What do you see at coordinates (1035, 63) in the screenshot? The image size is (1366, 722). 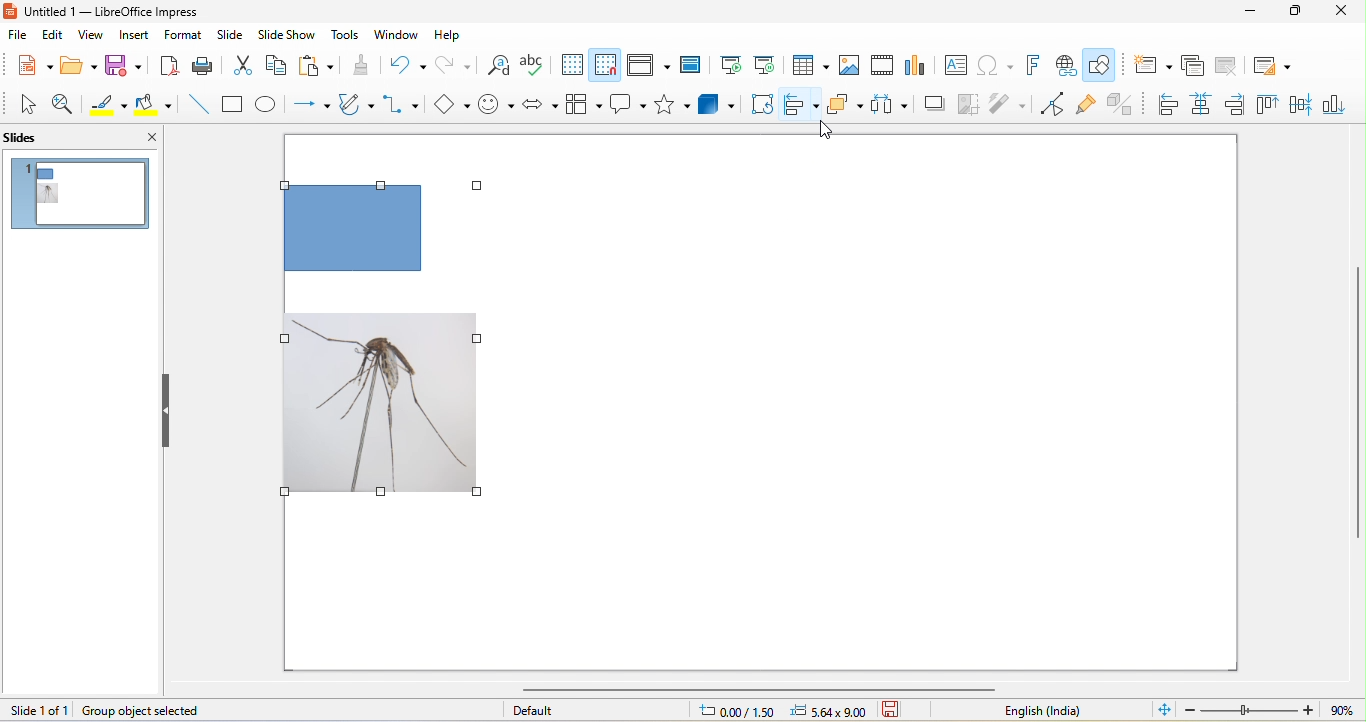 I see `fontwork text` at bounding box center [1035, 63].